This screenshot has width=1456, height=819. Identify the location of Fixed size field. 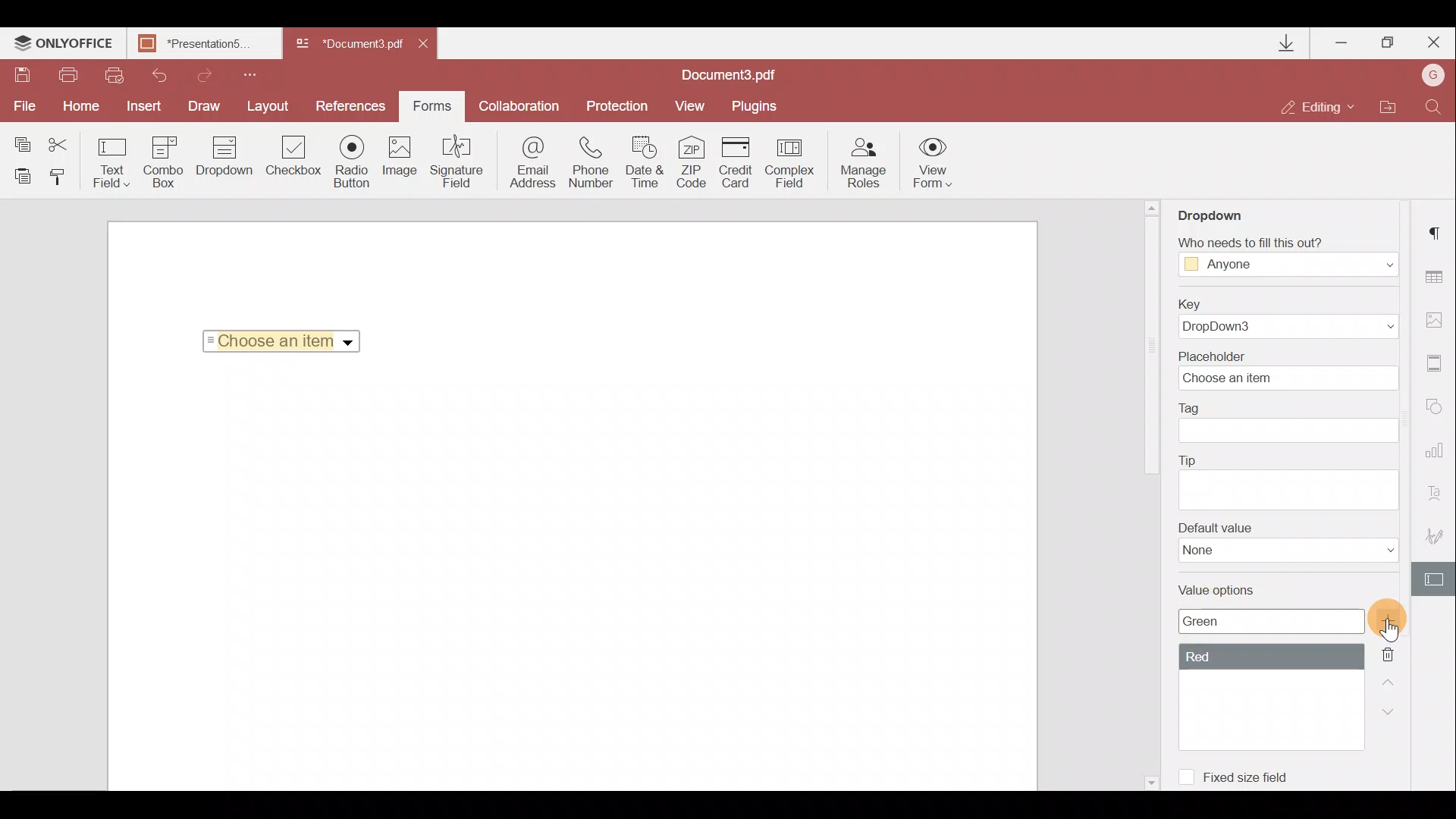
(1255, 780).